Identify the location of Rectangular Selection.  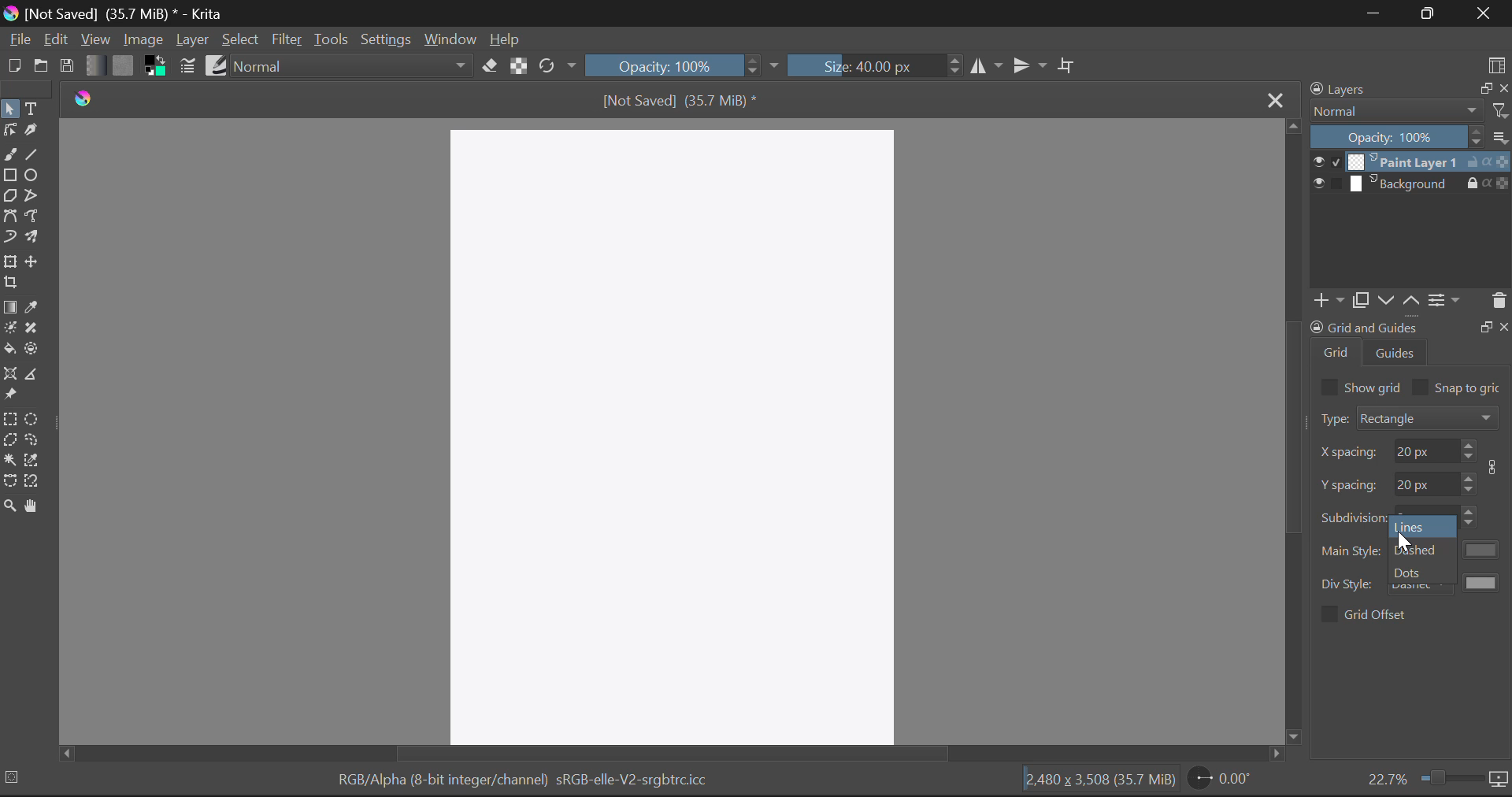
(11, 421).